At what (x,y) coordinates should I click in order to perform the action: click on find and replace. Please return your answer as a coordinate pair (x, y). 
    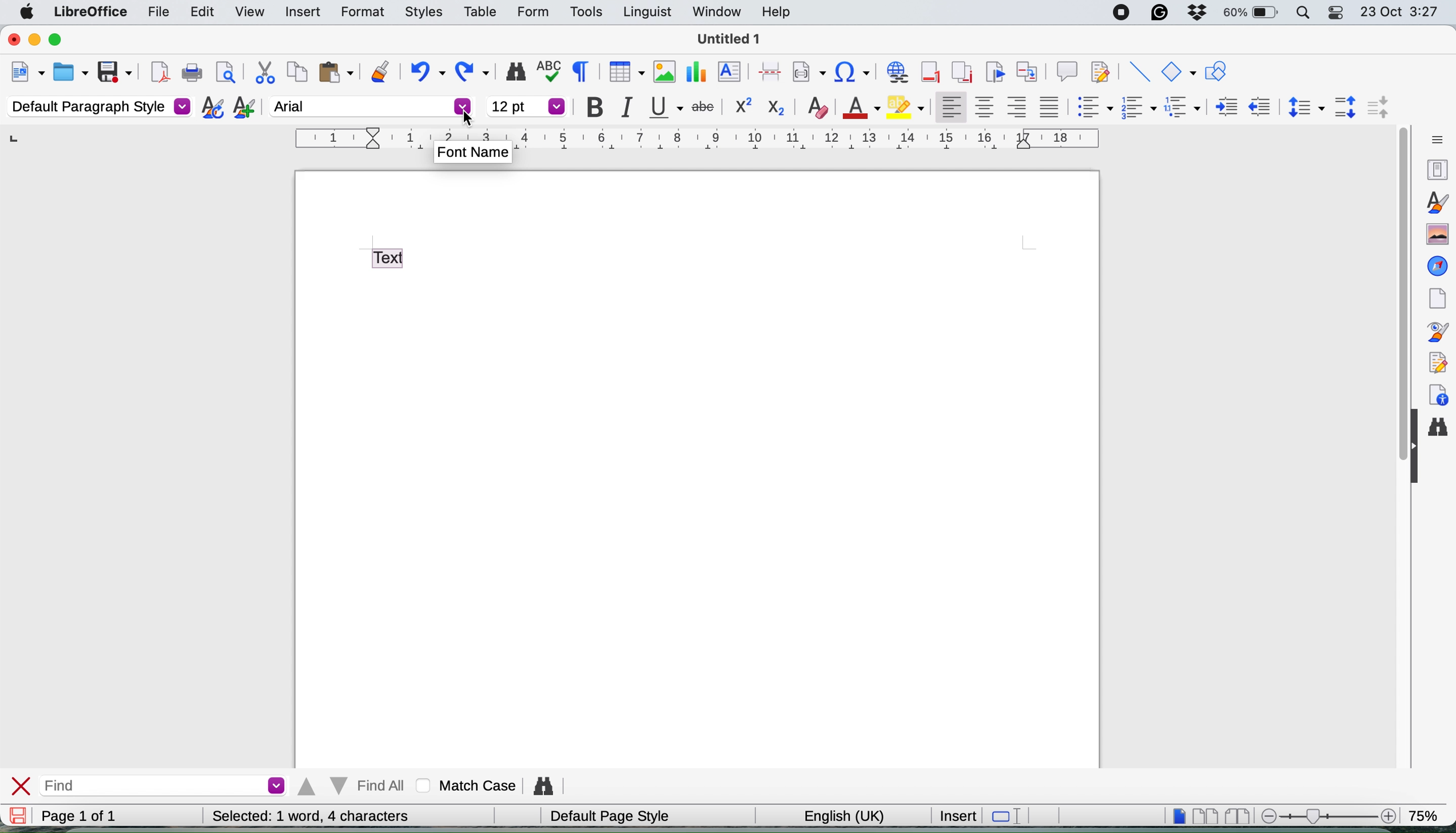
    Looking at the image, I should click on (1442, 433).